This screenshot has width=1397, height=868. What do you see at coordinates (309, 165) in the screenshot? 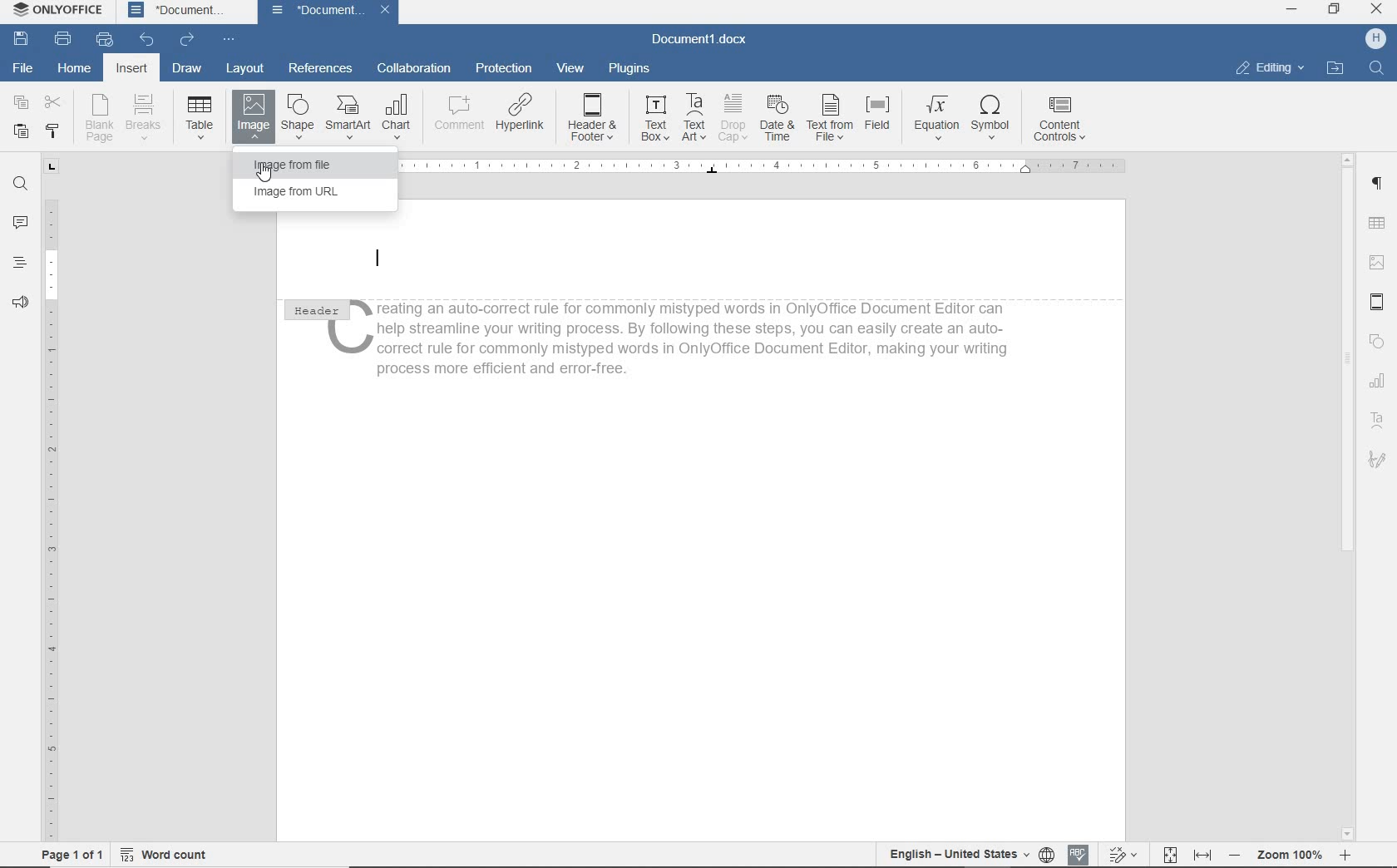
I see `IMAGE FROM FILE` at bounding box center [309, 165].